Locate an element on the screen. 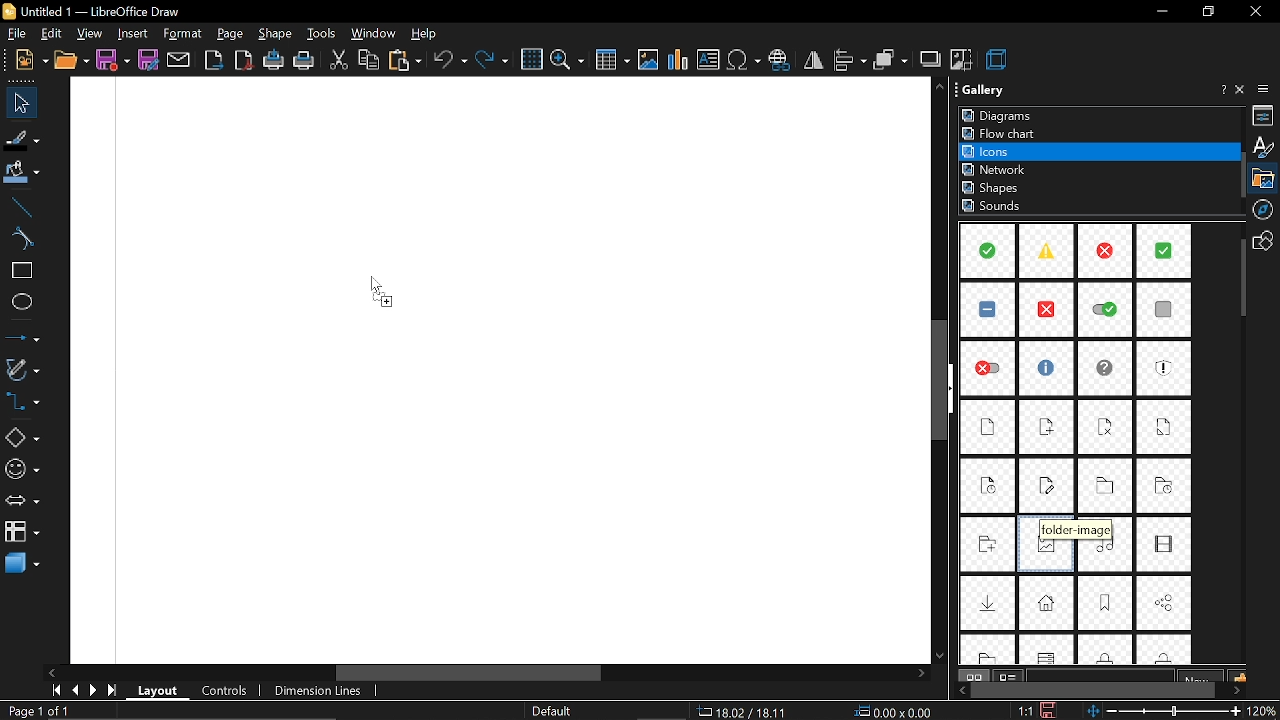 The height and width of the screenshot is (720, 1280). layout is located at coordinates (157, 692).